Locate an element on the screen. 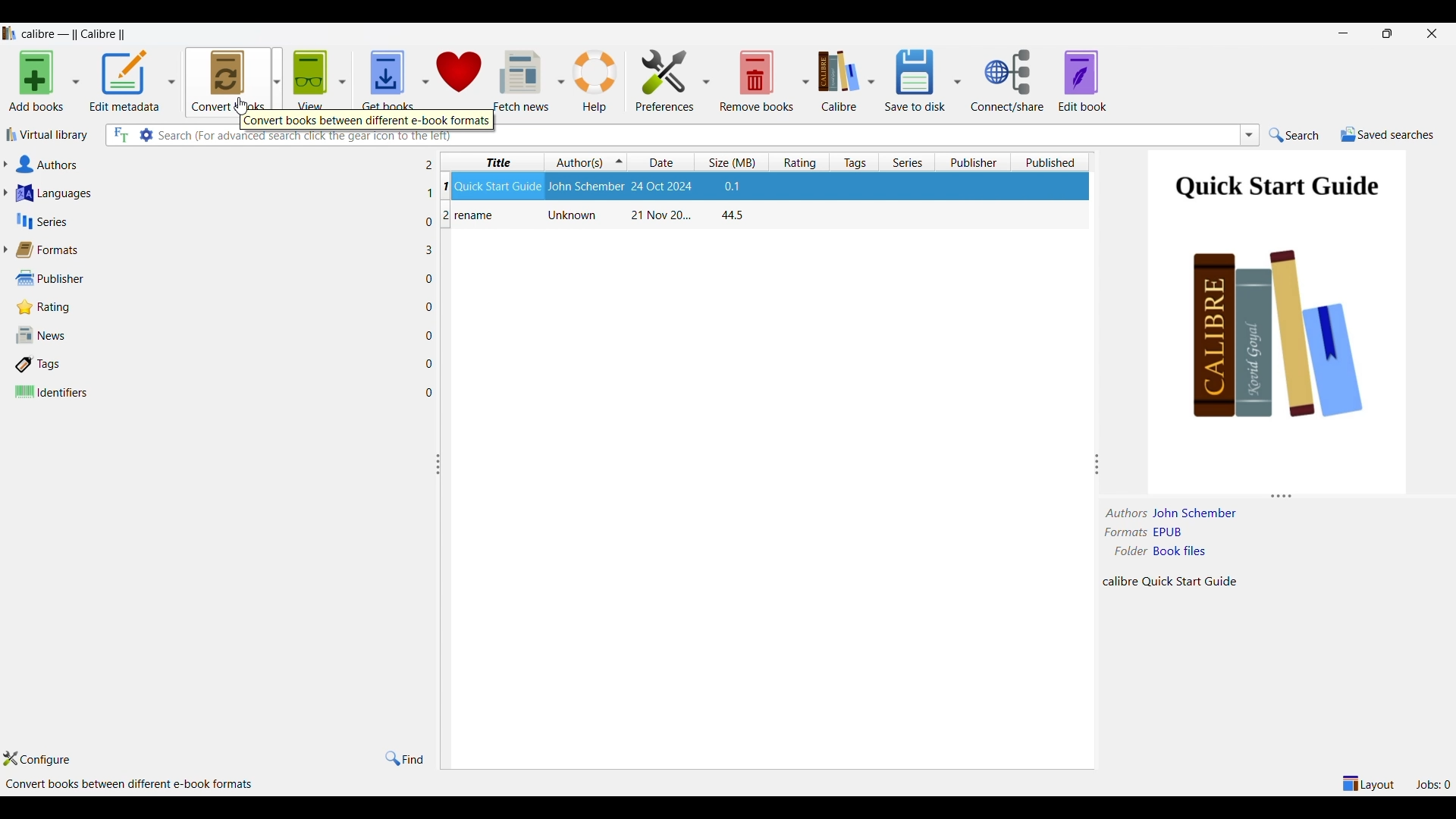 The width and height of the screenshot is (1456, 819). Formats is located at coordinates (217, 250).